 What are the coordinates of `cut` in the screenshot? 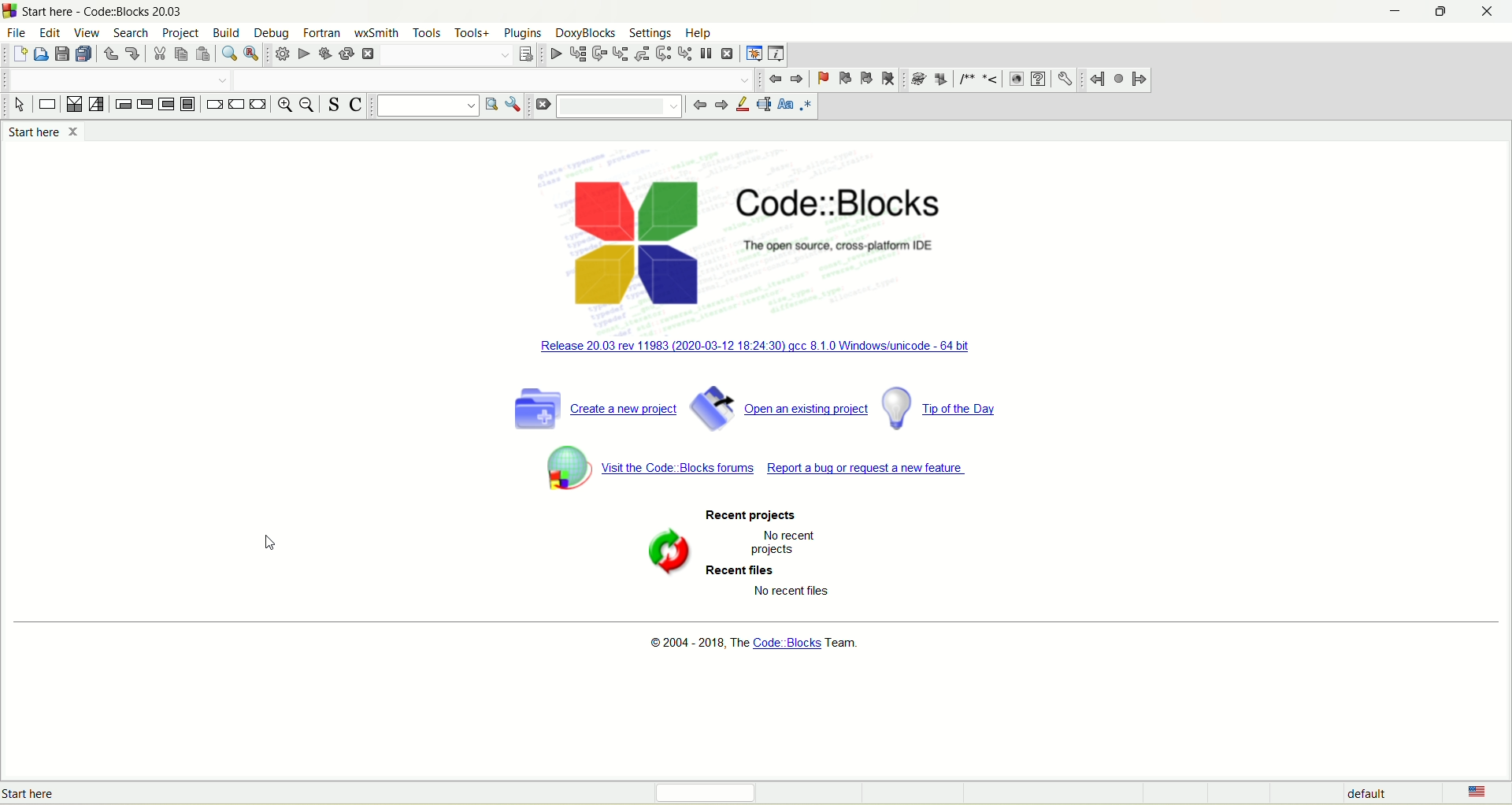 It's located at (161, 54).